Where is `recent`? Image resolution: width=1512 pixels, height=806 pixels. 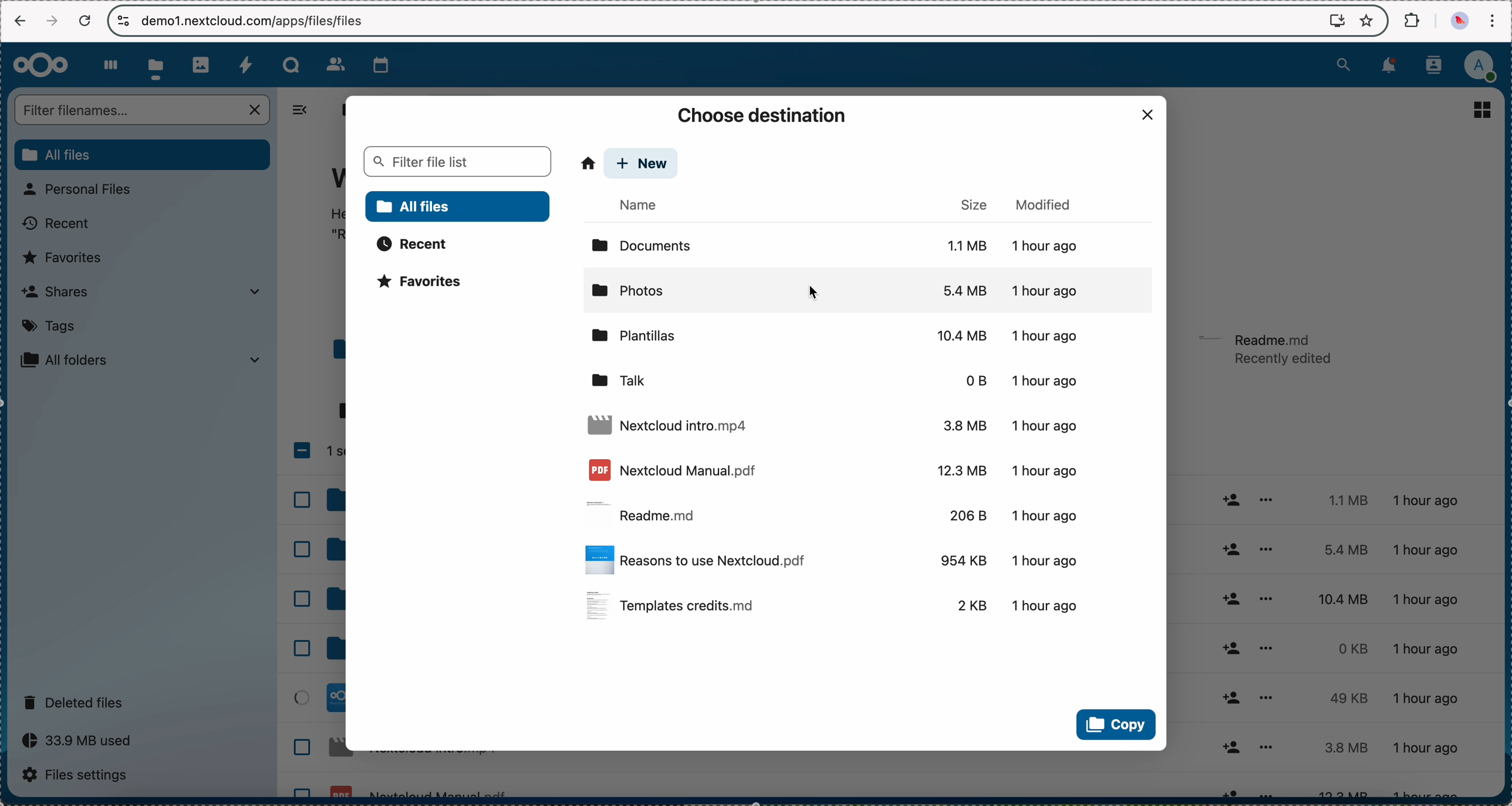 recent is located at coordinates (54, 226).